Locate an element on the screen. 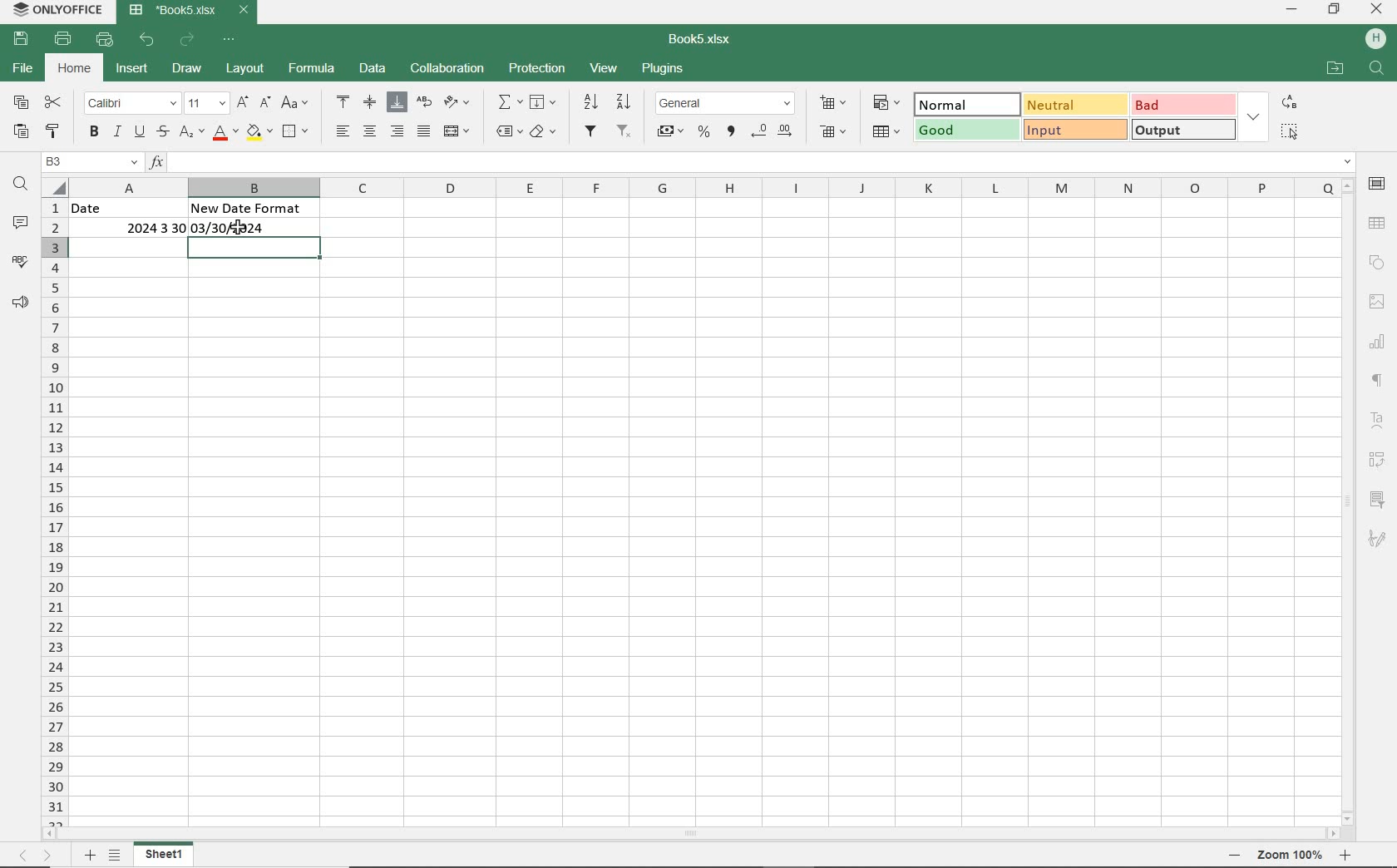 The height and width of the screenshot is (868, 1397). ROWS is located at coordinates (52, 501).